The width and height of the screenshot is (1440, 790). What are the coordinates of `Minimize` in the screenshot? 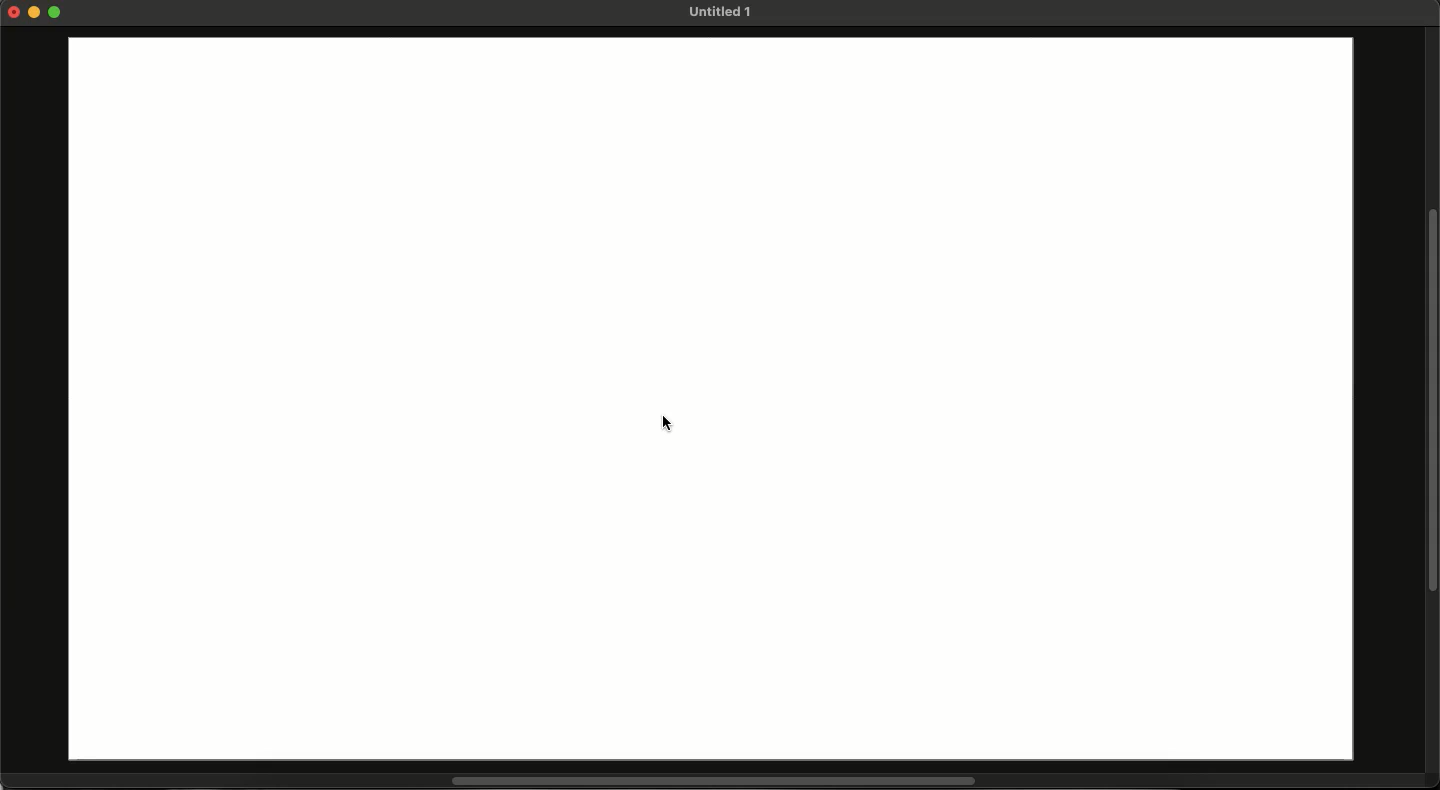 It's located at (37, 12).